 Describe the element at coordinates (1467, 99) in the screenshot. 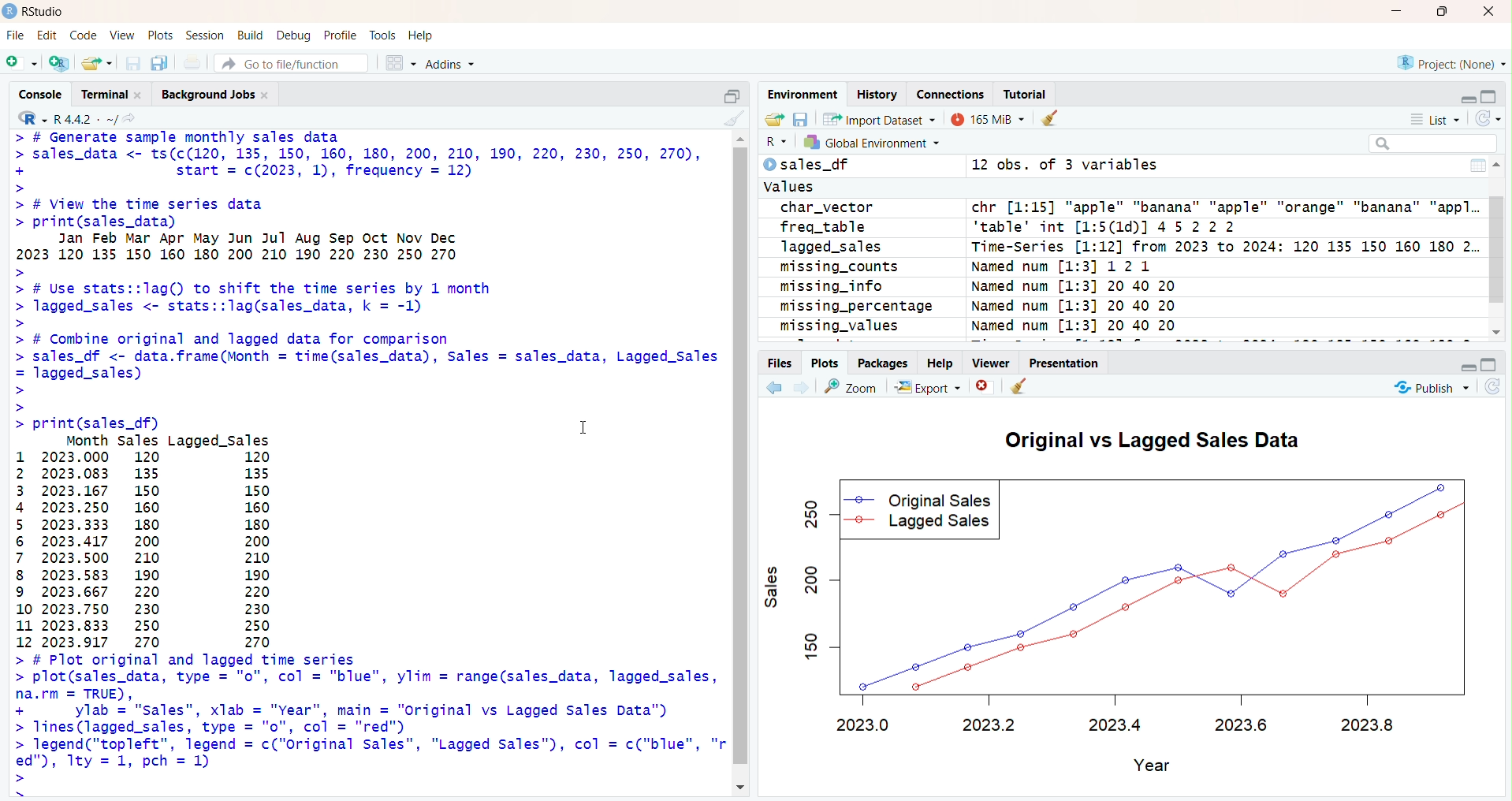

I see `expand` at that location.